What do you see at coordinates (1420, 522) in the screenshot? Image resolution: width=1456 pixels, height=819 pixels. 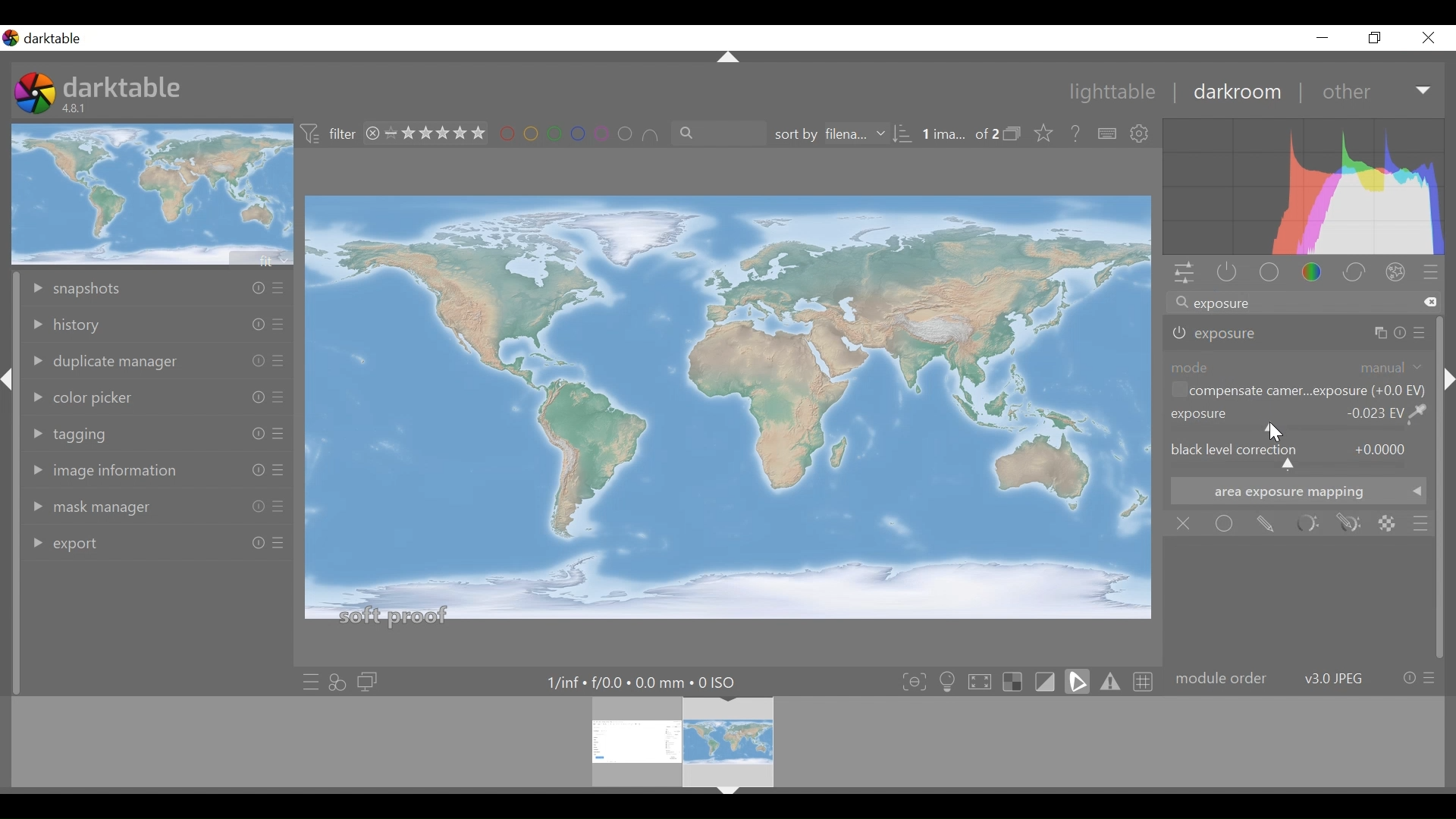 I see `blending option` at bounding box center [1420, 522].